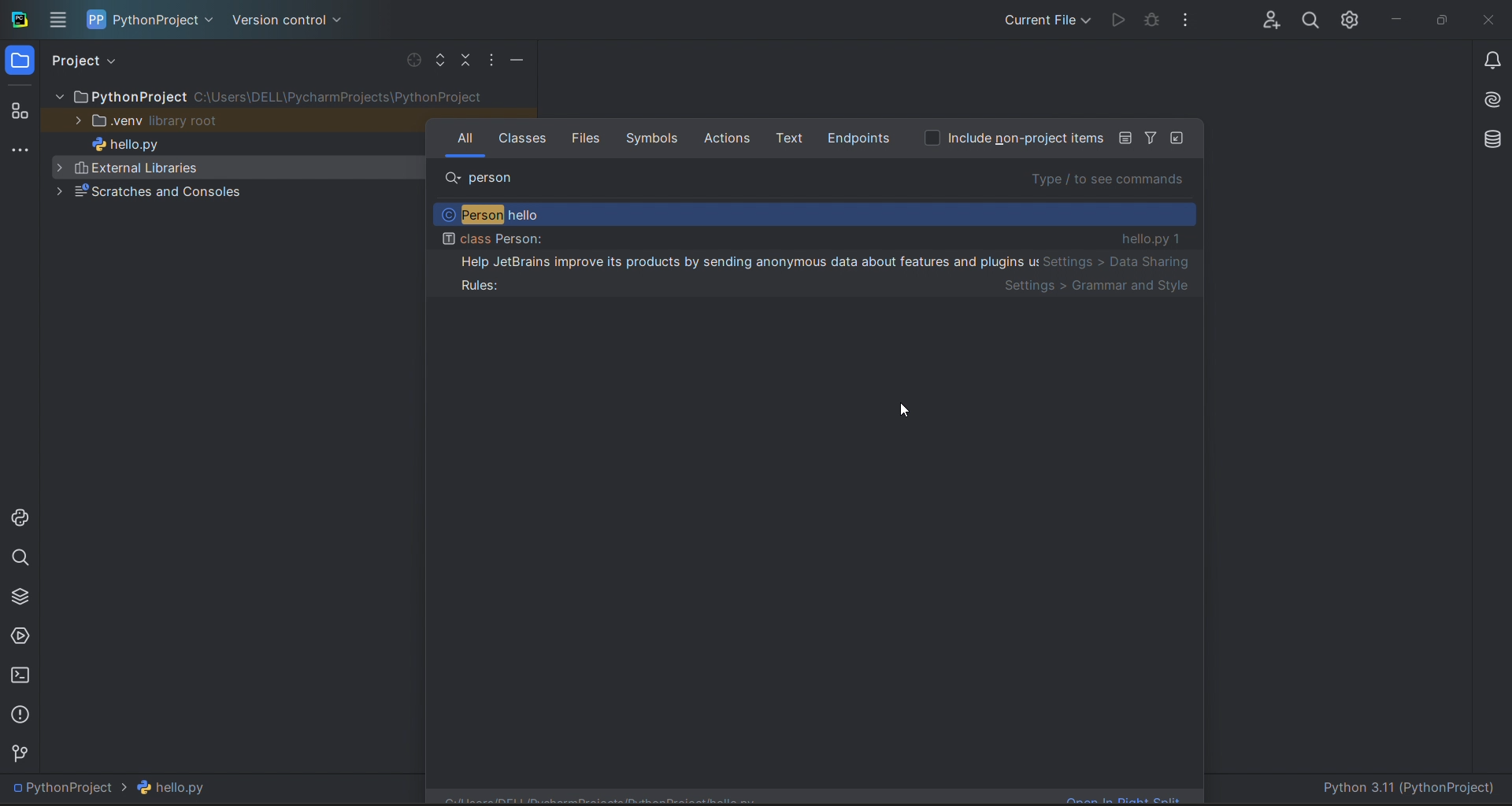  What do you see at coordinates (524, 140) in the screenshot?
I see `classes` at bounding box center [524, 140].